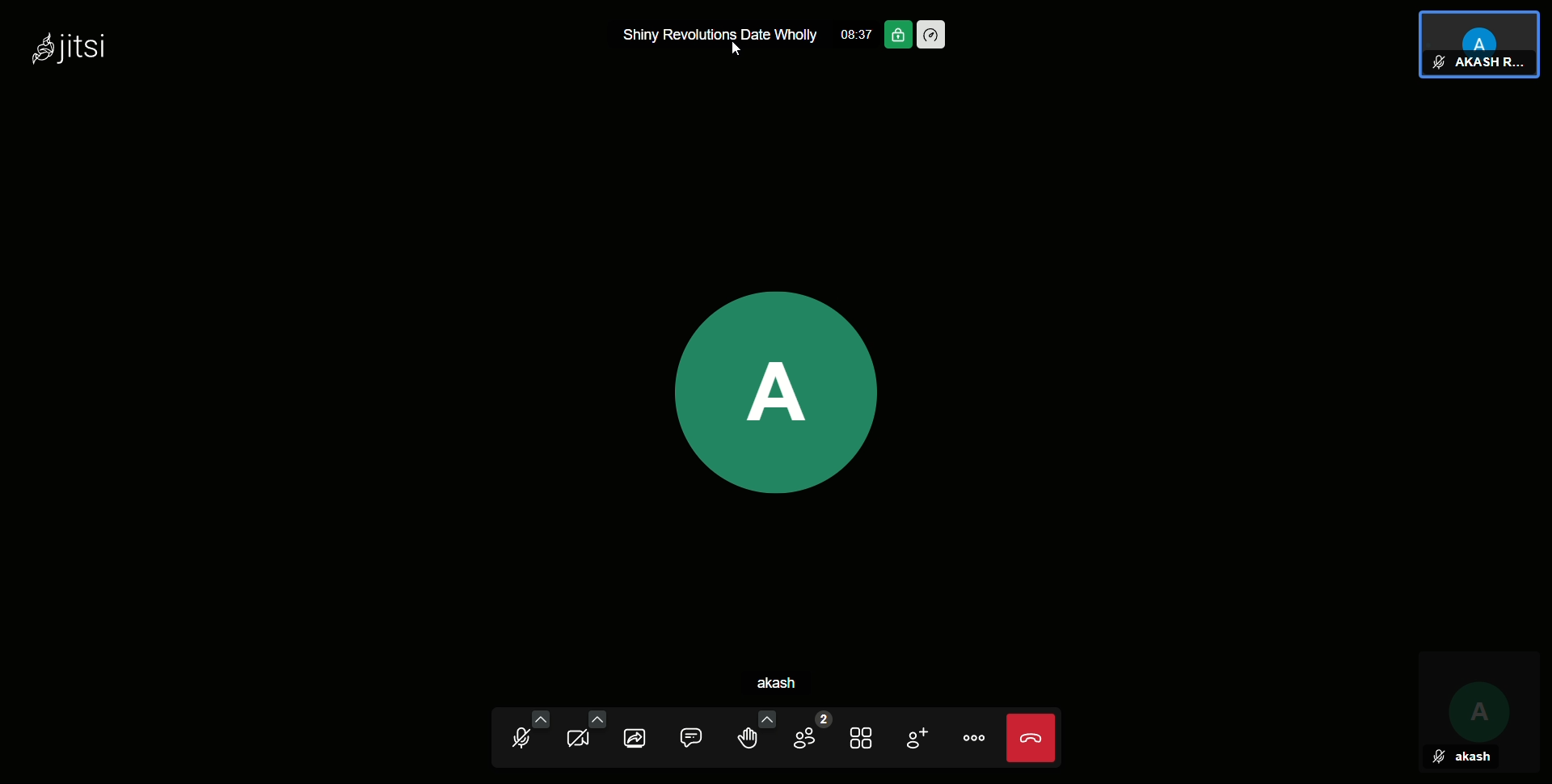 This screenshot has height=784, width=1552. Describe the element at coordinates (864, 735) in the screenshot. I see `toggle tile view` at that location.